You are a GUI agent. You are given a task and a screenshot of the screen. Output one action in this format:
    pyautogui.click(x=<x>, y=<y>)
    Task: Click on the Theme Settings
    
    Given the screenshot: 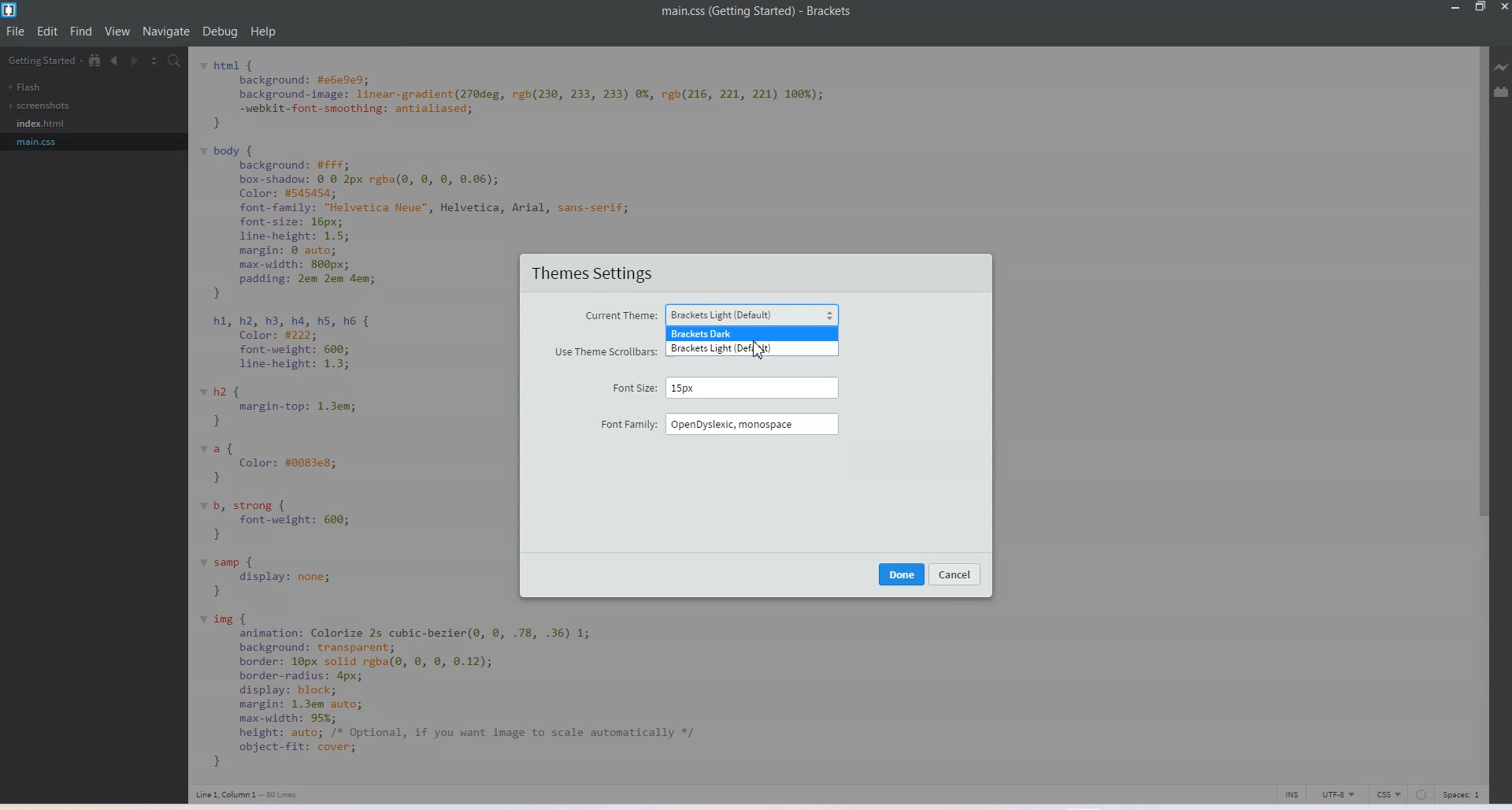 What is the action you would take?
    pyautogui.click(x=593, y=274)
    